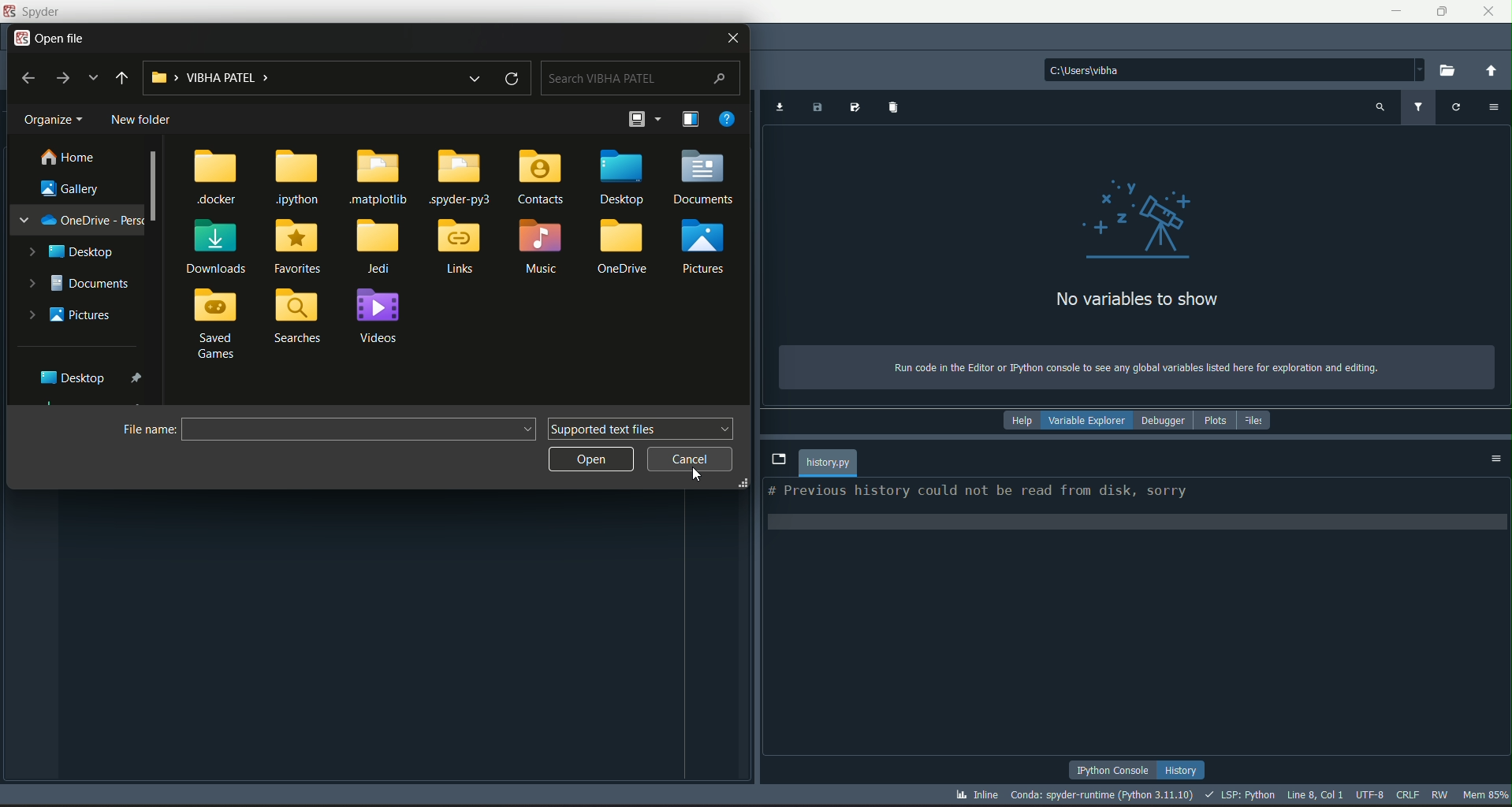 The height and width of the screenshot is (807, 1512). I want to click on more options, so click(660, 117).